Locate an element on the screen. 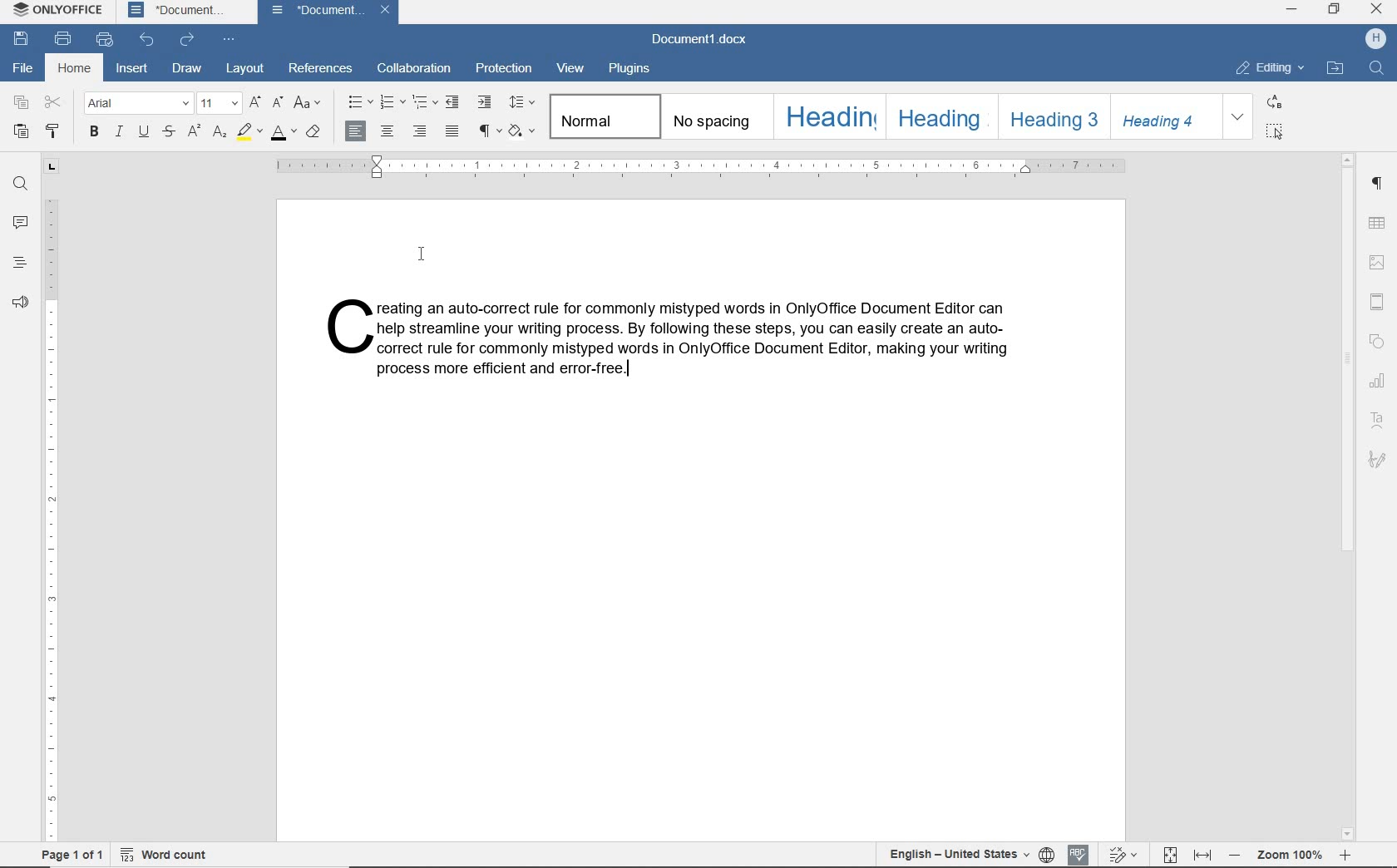 The image size is (1397, 868). maximize is located at coordinates (1335, 10).